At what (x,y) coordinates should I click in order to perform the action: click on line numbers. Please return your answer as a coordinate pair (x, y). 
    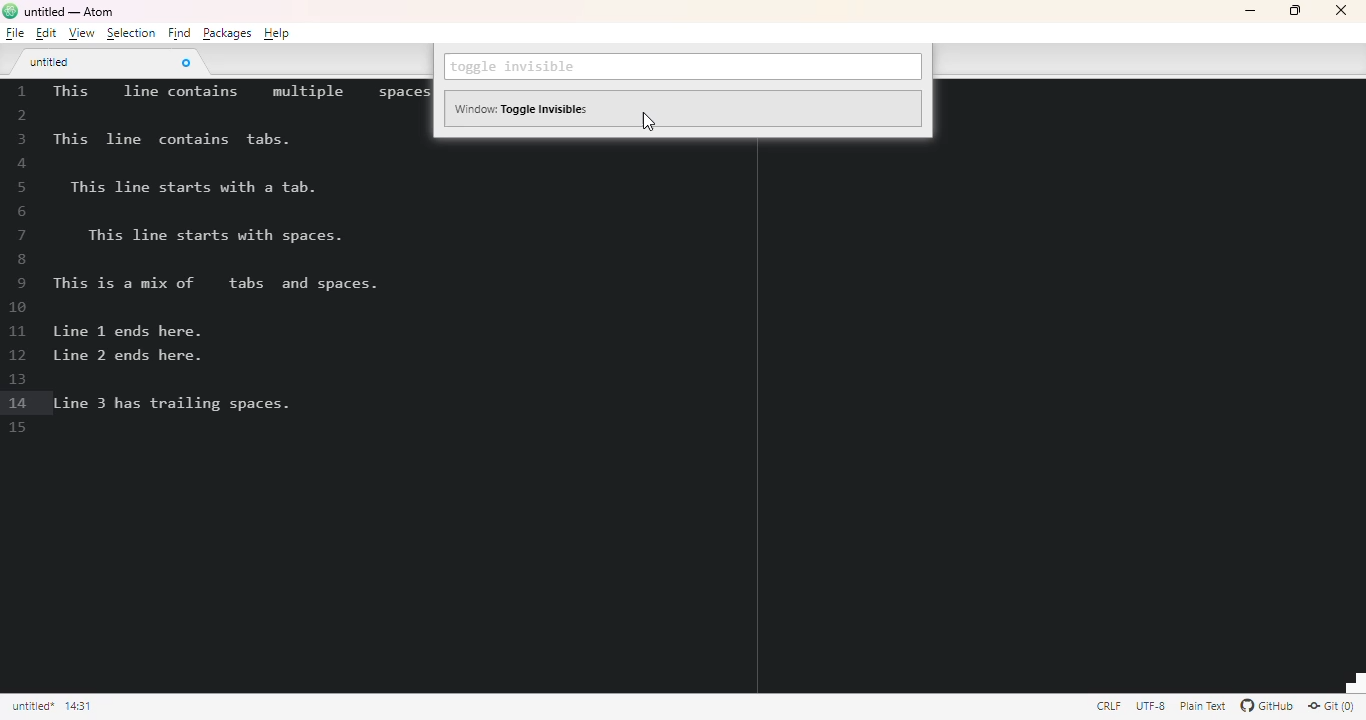
    Looking at the image, I should click on (20, 260).